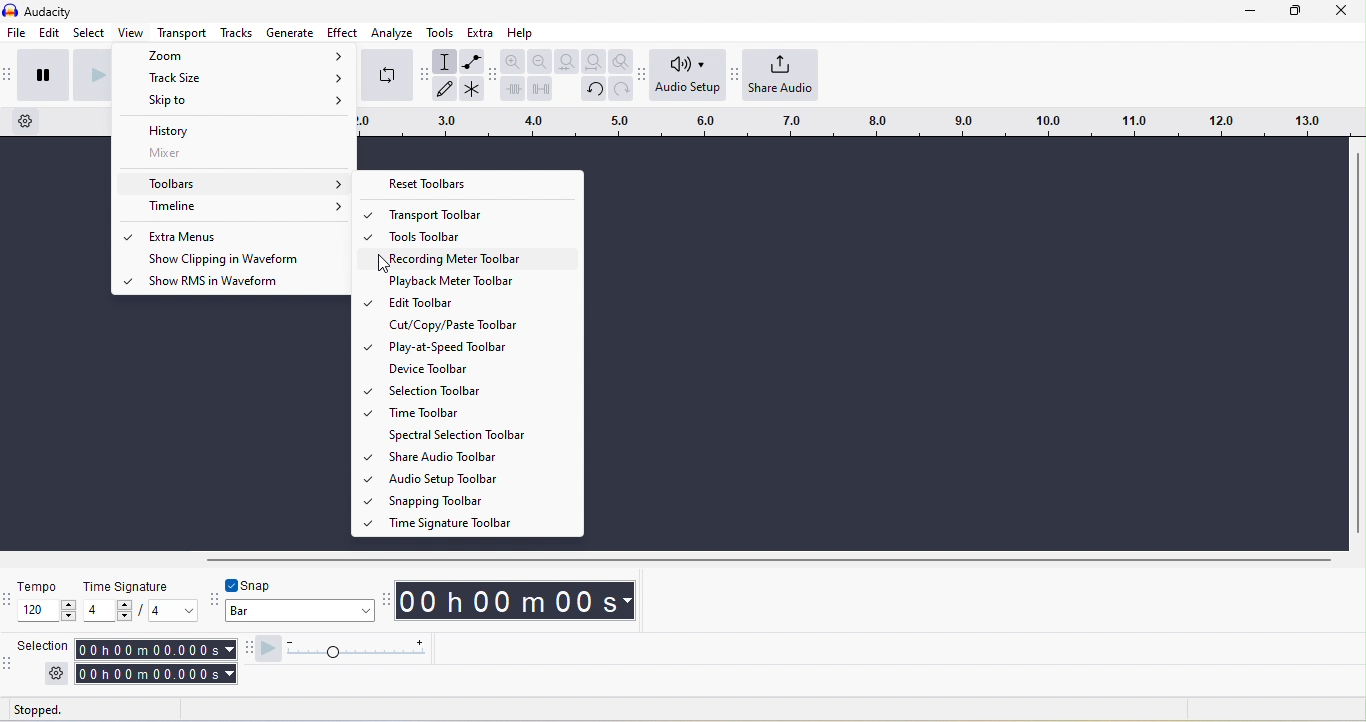 The height and width of the screenshot is (722, 1366). Describe the element at coordinates (857, 122) in the screenshot. I see `timeline` at that location.